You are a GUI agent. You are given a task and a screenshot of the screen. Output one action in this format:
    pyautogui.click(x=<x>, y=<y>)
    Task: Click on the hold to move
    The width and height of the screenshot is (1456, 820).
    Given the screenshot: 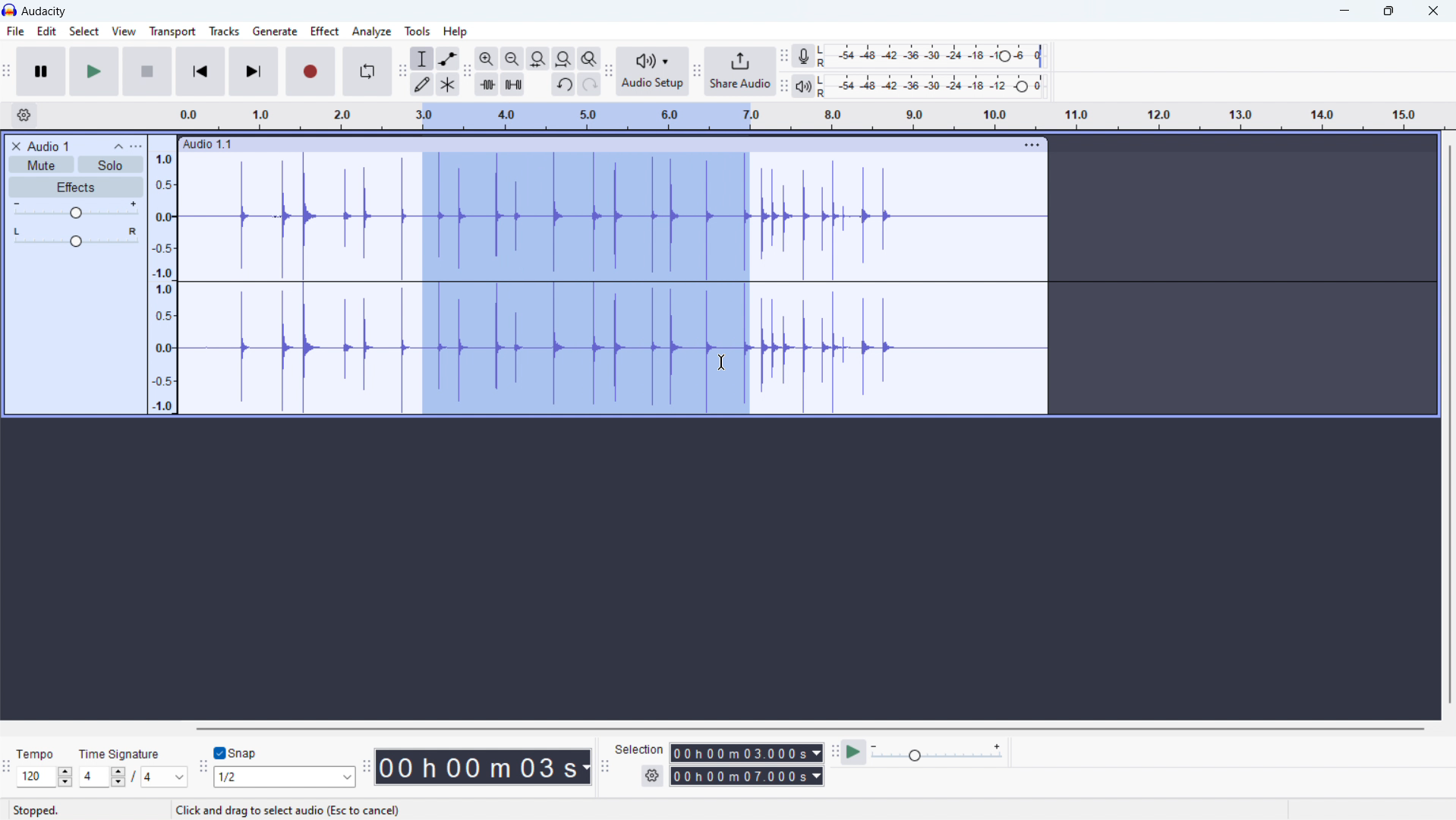 What is the action you would take?
    pyautogui.click(x=597, y=145)
    